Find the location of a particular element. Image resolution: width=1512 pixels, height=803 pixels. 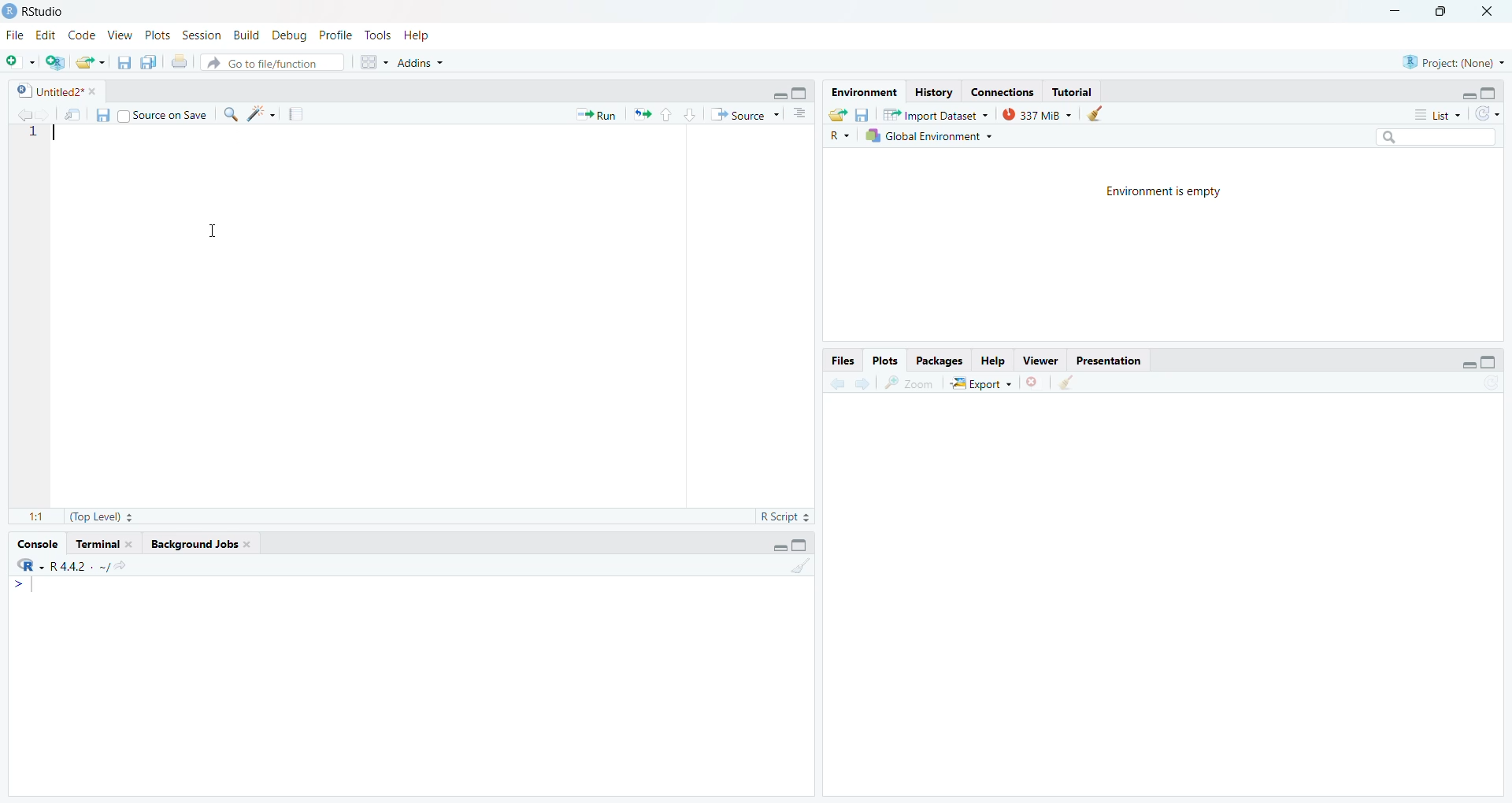

Build is located at coordinates (247, 35).